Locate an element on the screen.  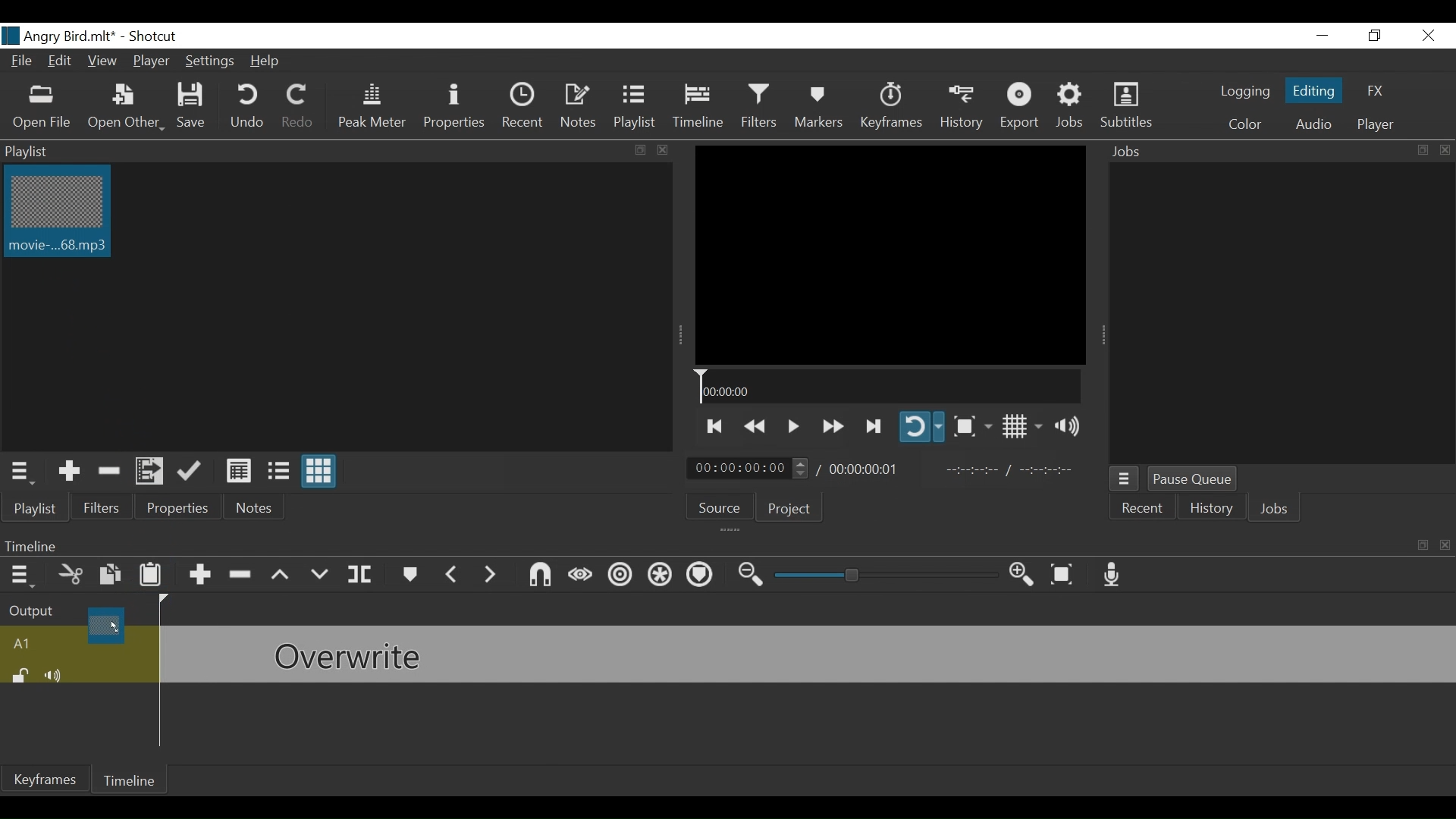
resize is located at coordinates (1421, 150).